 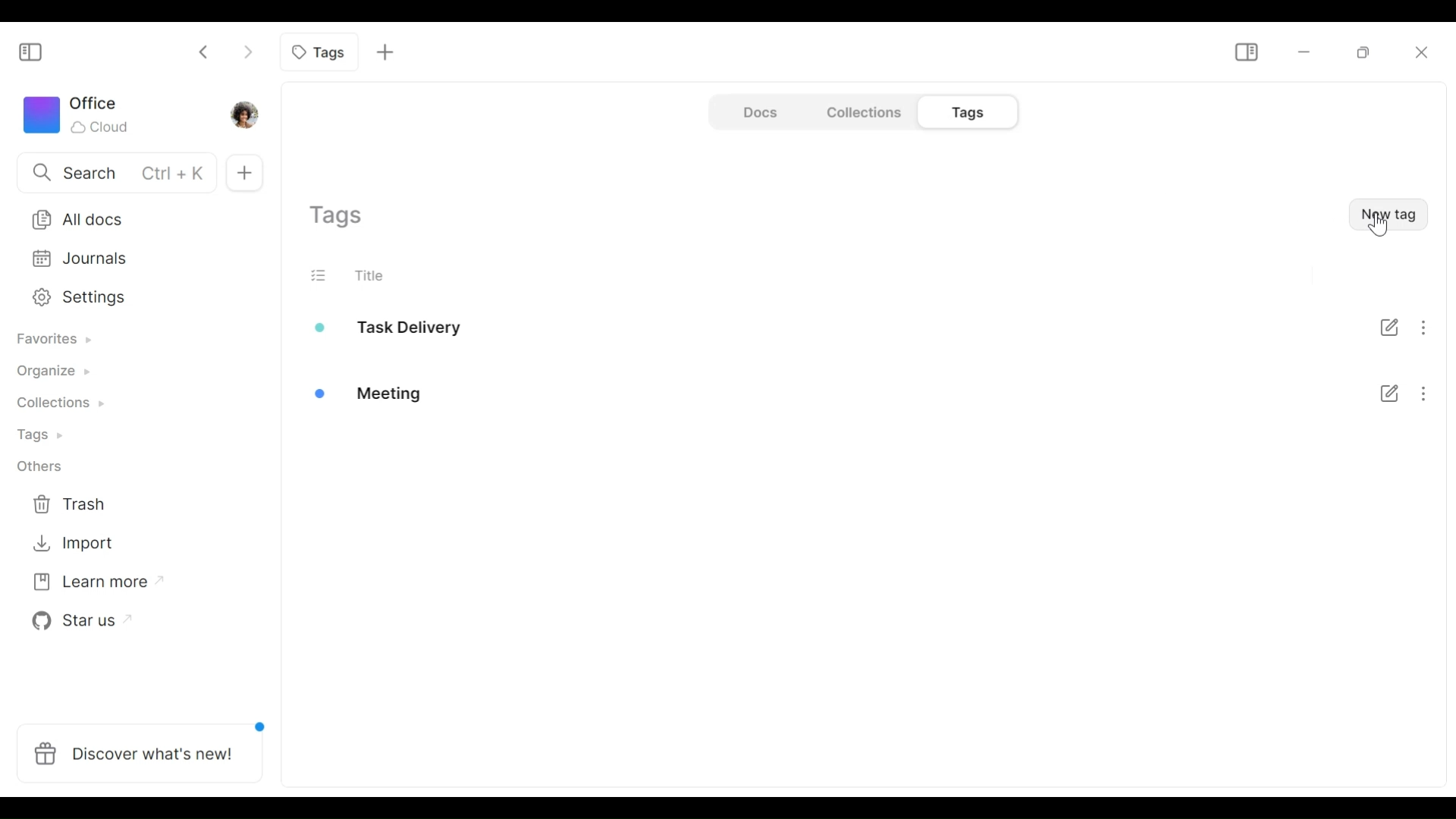 I want to click on Collections, so click(x=861, y=112).